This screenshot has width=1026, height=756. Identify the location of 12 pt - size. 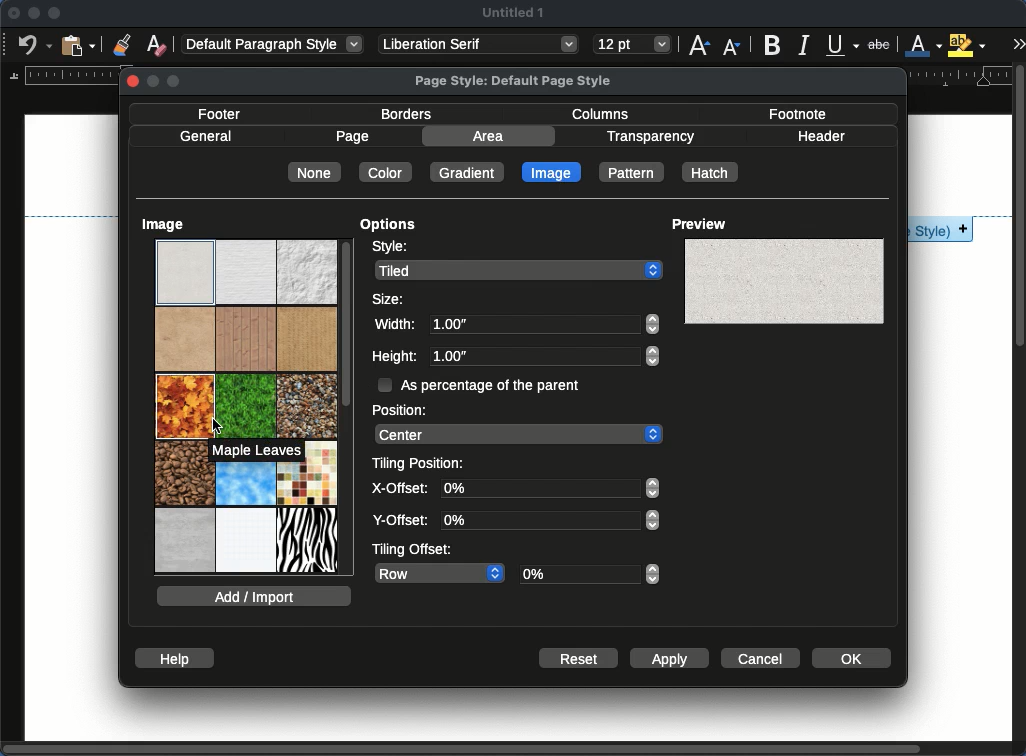
(633, 43).